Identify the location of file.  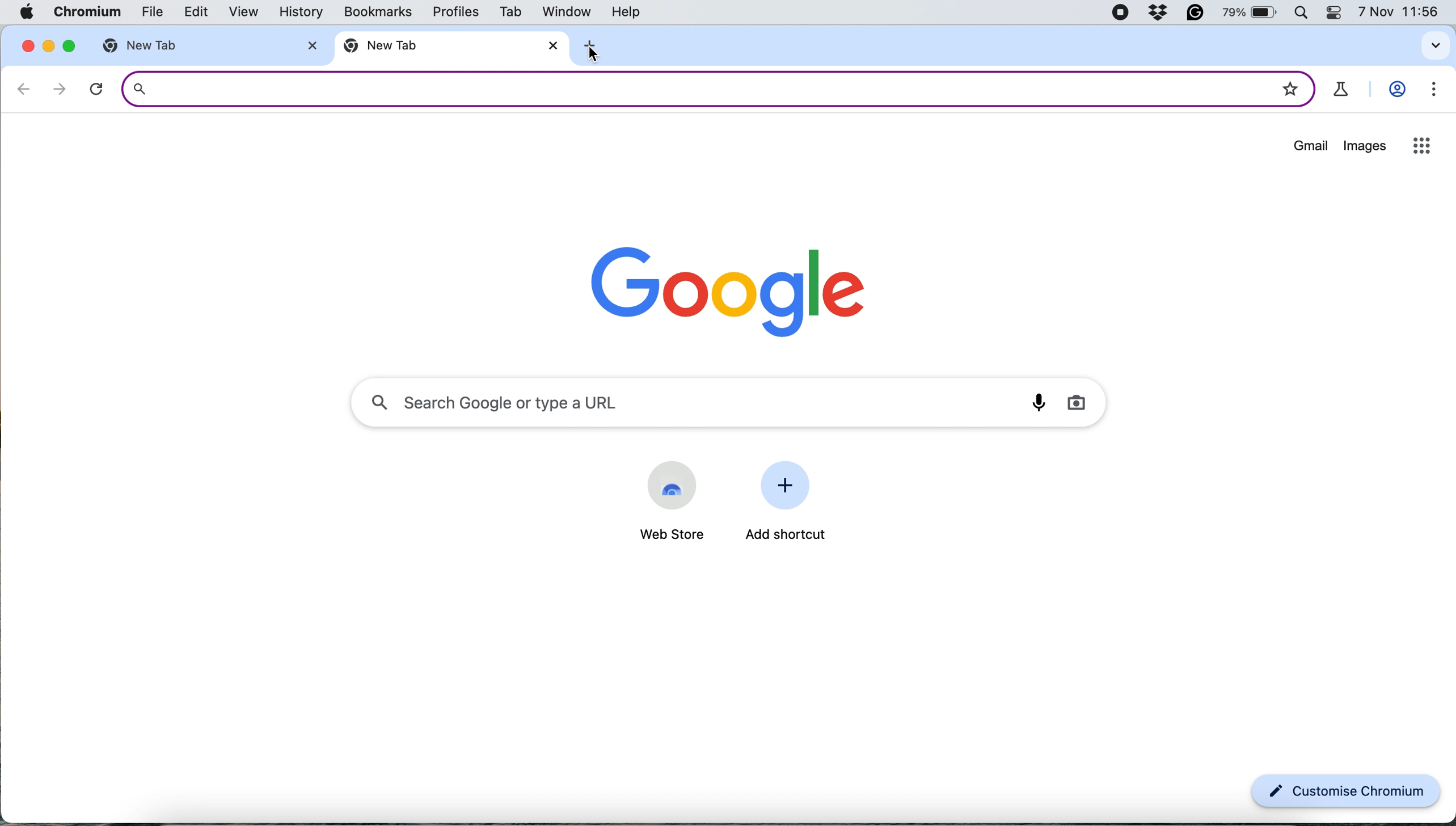
(145, 14).